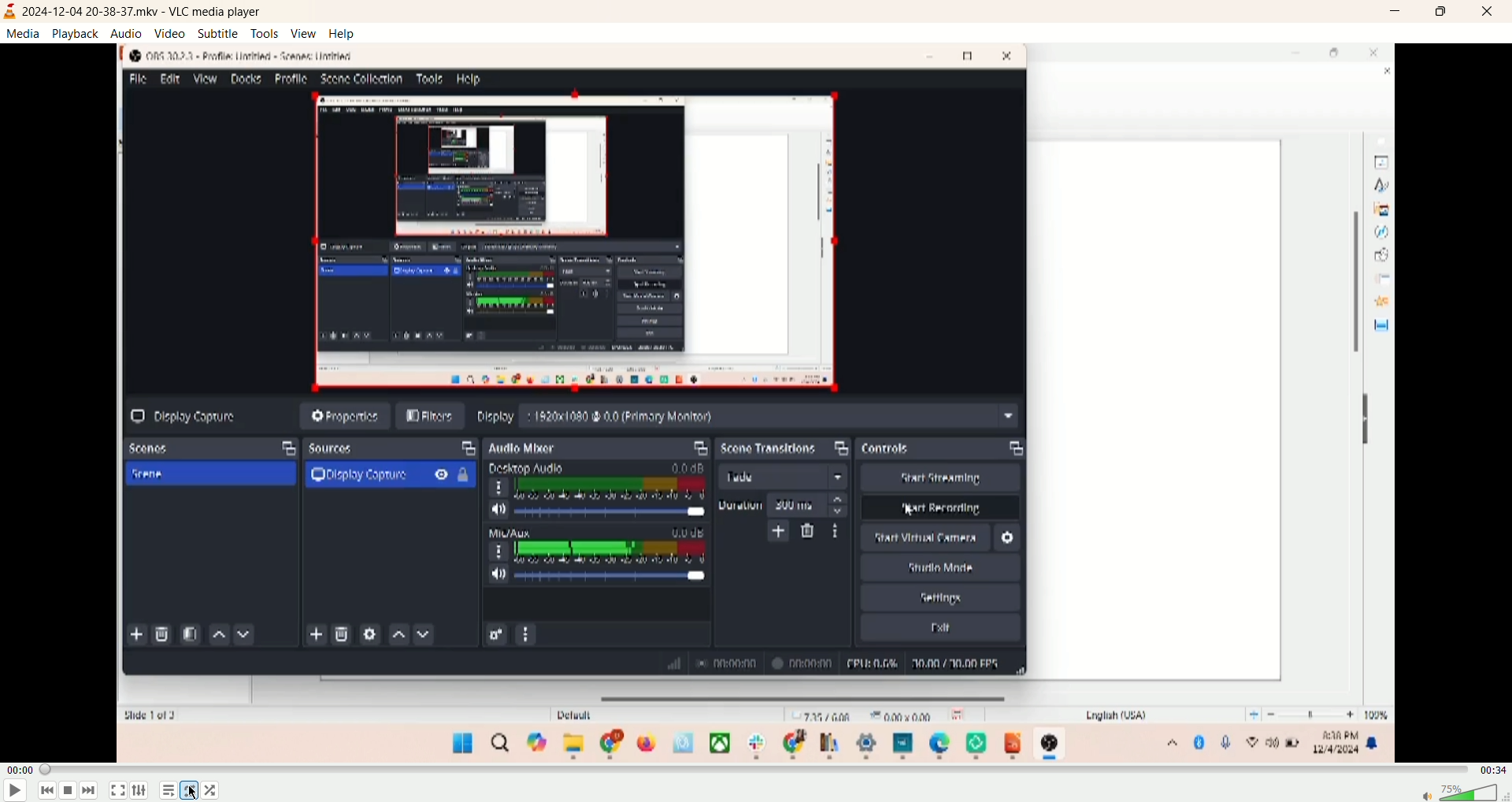  Describe the element at coordinates (305, 32) in the screenshot. I see `view` at that location.